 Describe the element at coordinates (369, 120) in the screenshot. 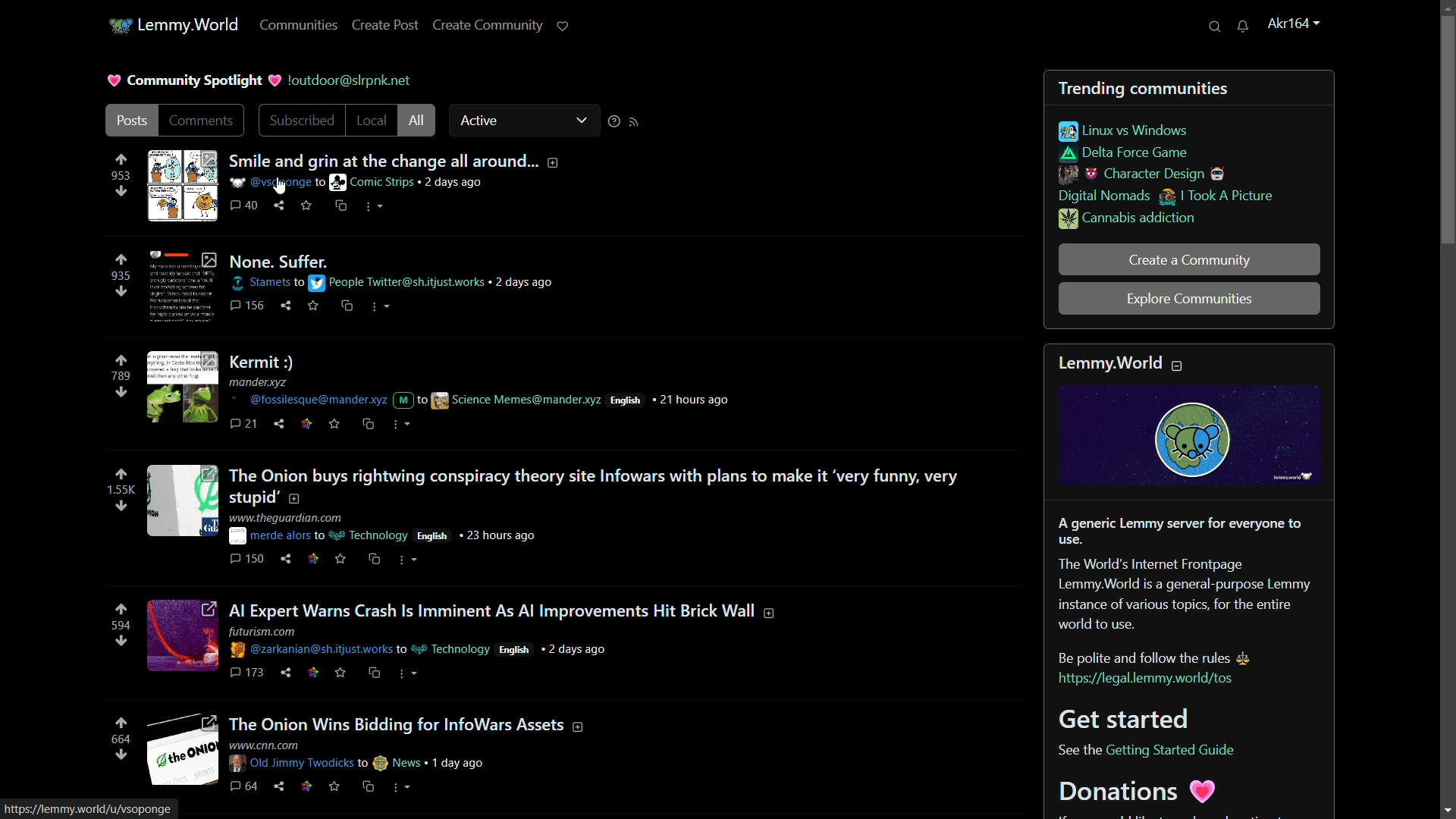

I see `local` at that location.